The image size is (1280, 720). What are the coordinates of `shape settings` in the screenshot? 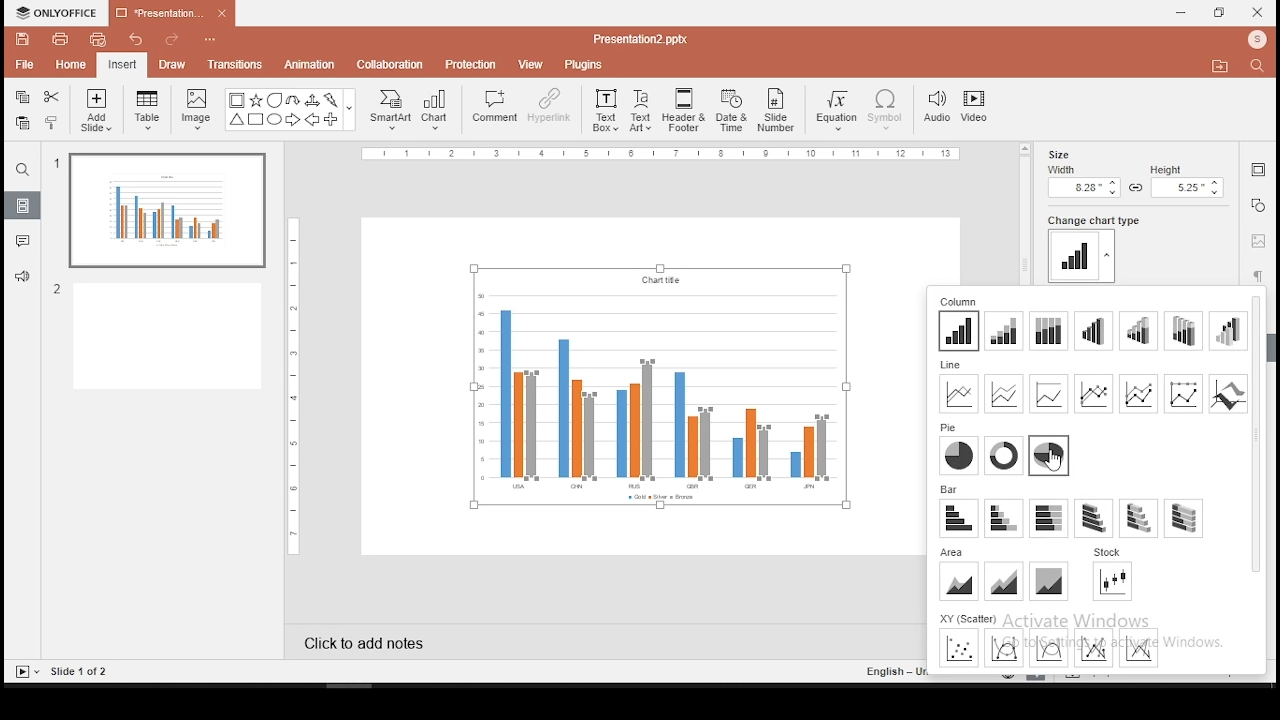 It's located at (1257, 205).